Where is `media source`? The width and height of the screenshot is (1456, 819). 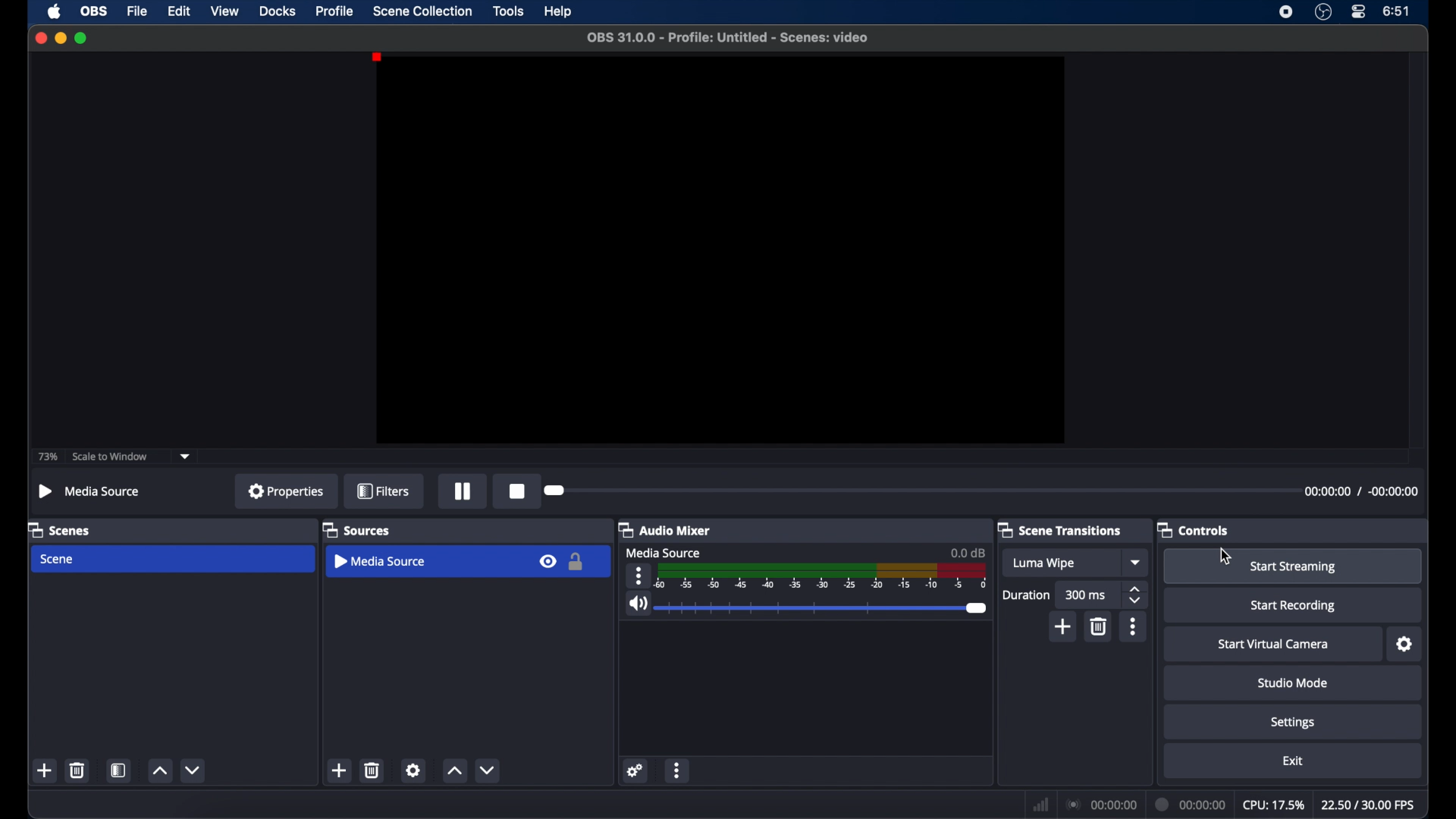 media source is located at coordinates (666, 552).